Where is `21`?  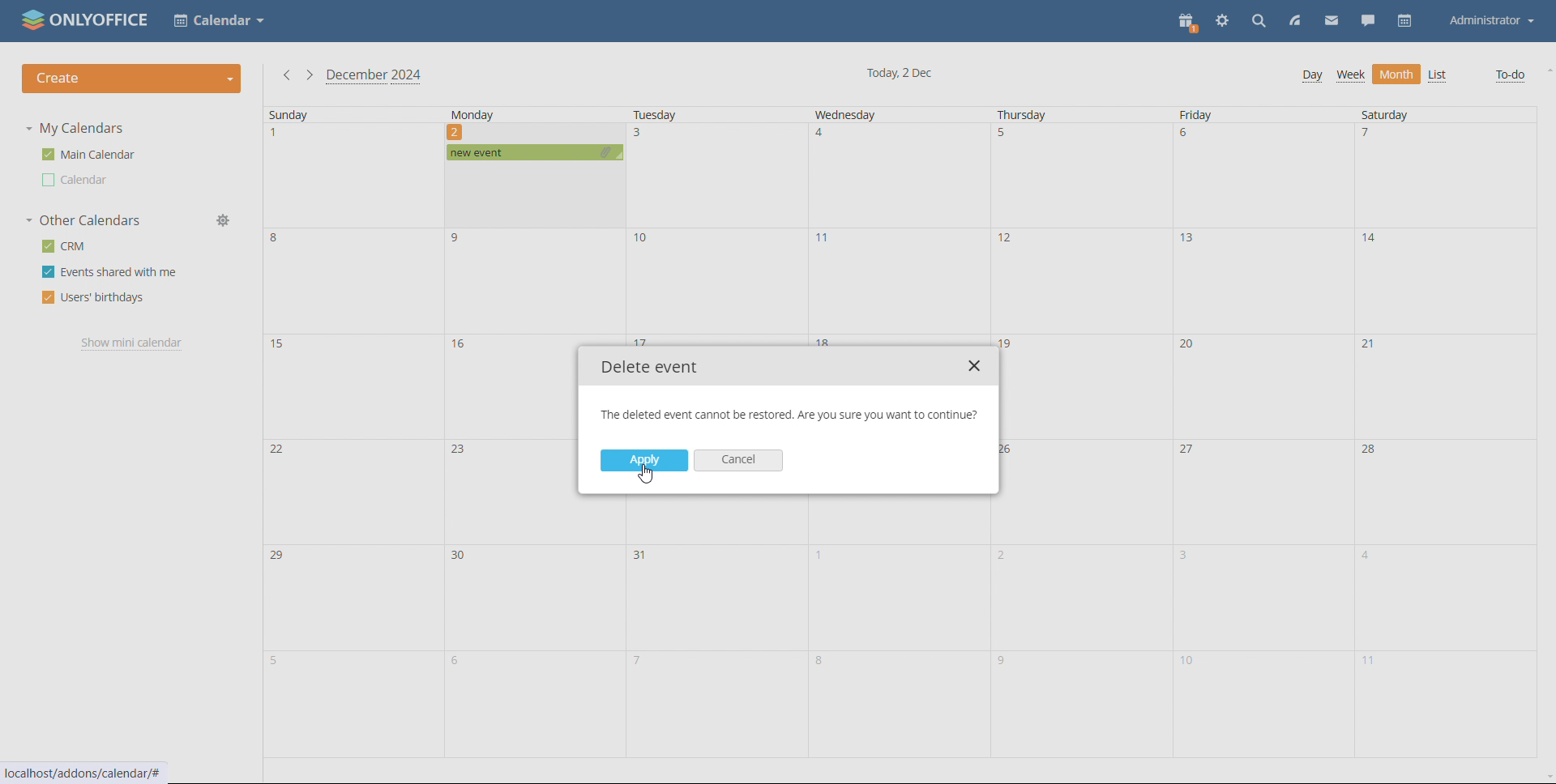
21 is located at coordinates (1371, 347).